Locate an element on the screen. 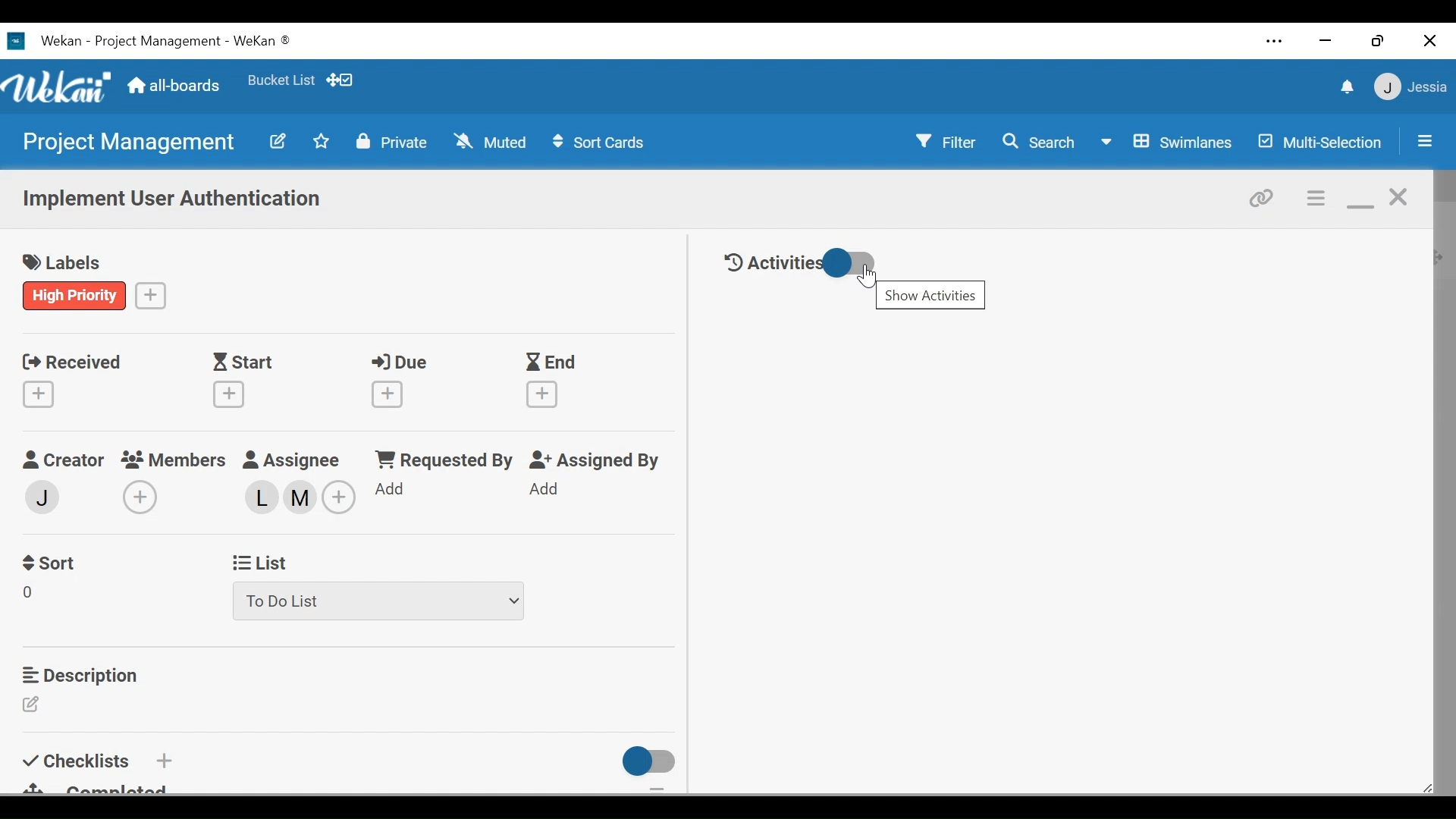 The height and width of the screenshot is (819, 1456). assigned member is located at coordinates (303, 498).